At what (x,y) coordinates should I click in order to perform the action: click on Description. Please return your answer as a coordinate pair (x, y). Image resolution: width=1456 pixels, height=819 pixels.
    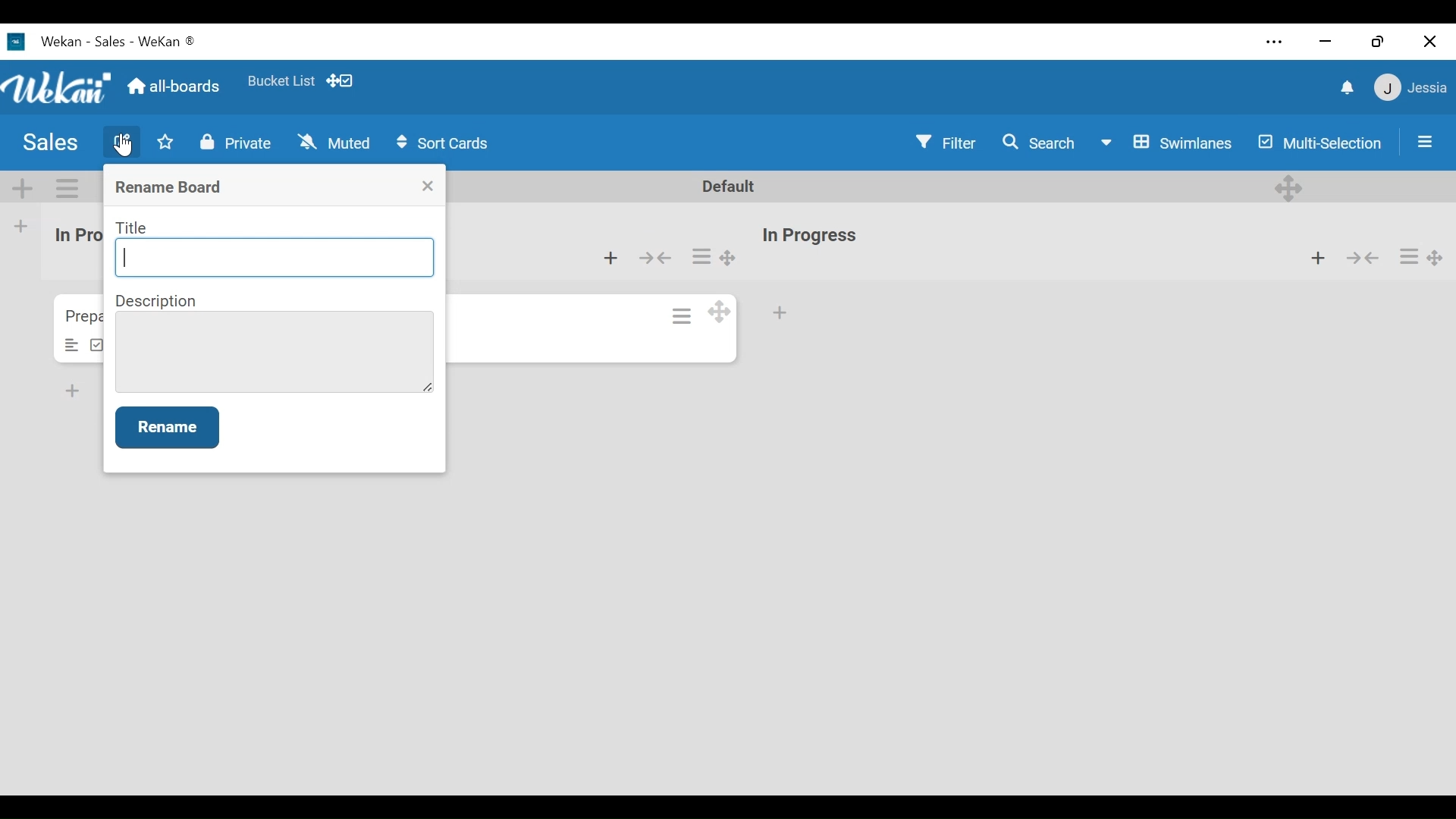
    Looking at the image, I should click on (158, 301).